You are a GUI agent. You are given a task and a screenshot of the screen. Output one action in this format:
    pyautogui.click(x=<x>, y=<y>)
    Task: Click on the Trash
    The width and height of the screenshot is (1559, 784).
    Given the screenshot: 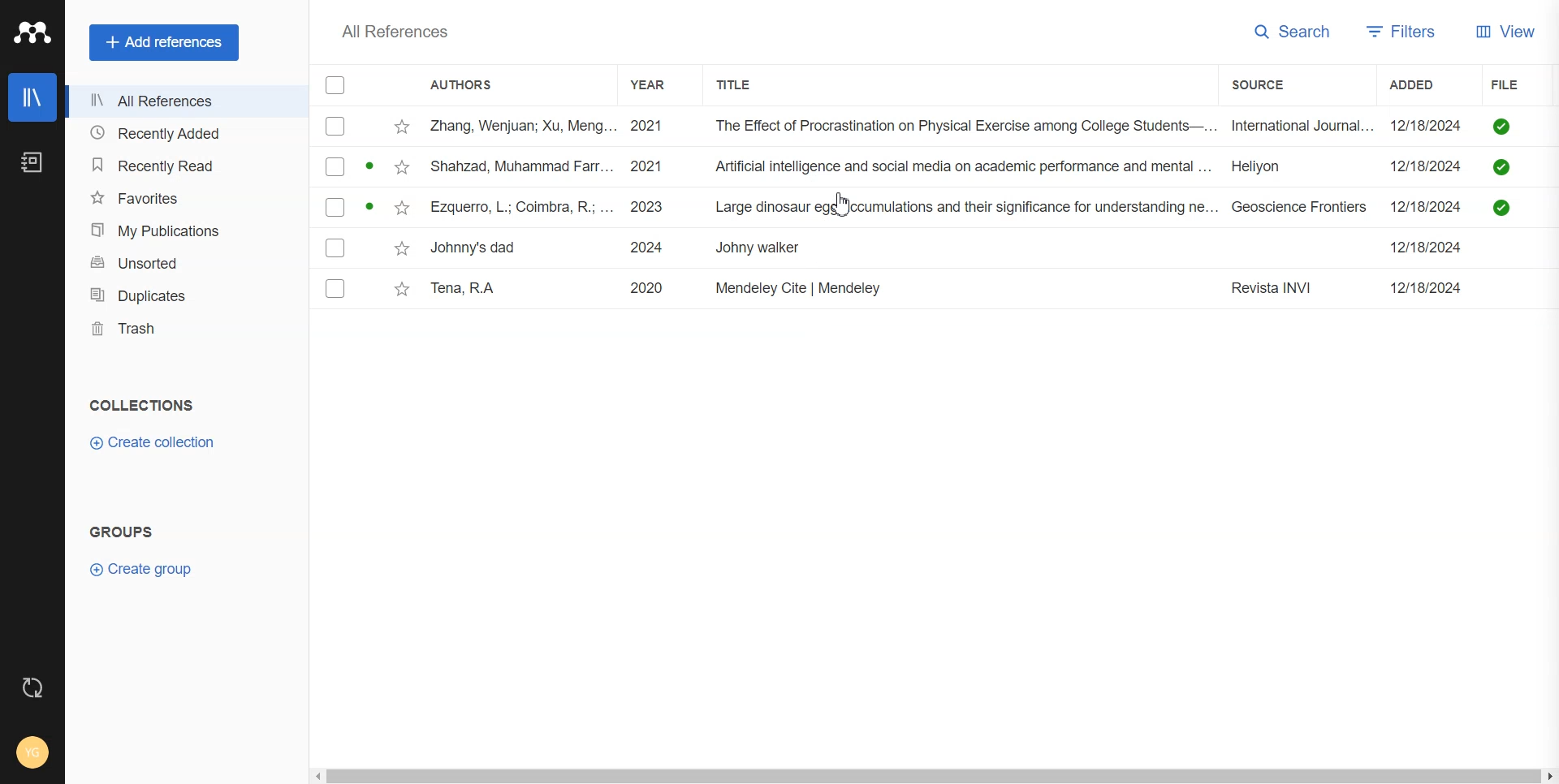 What is the action you would take?
    pyautogui.click(x=186, y=328)
    